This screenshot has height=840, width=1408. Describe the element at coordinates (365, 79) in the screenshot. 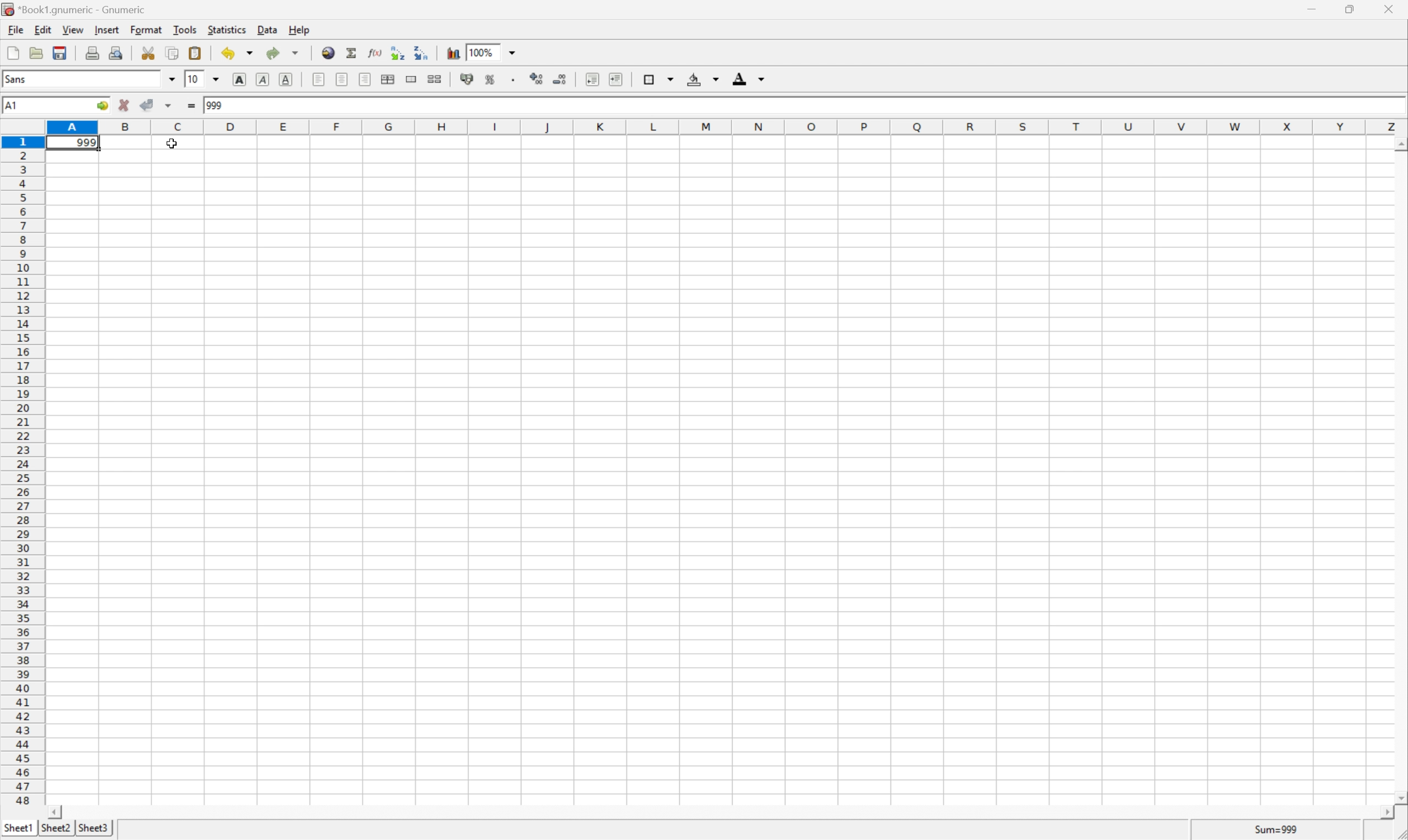

I see `Align right` at that location.